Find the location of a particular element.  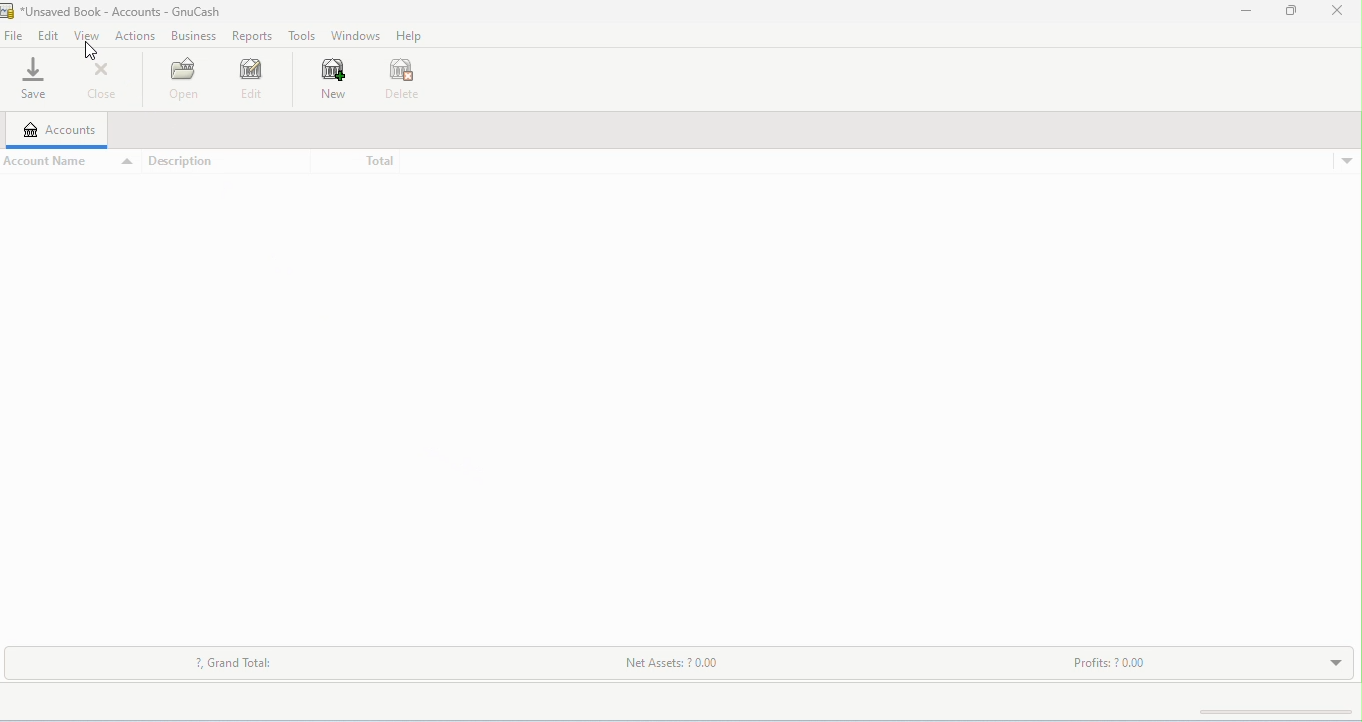

windows is located at coordinates (357, 36).